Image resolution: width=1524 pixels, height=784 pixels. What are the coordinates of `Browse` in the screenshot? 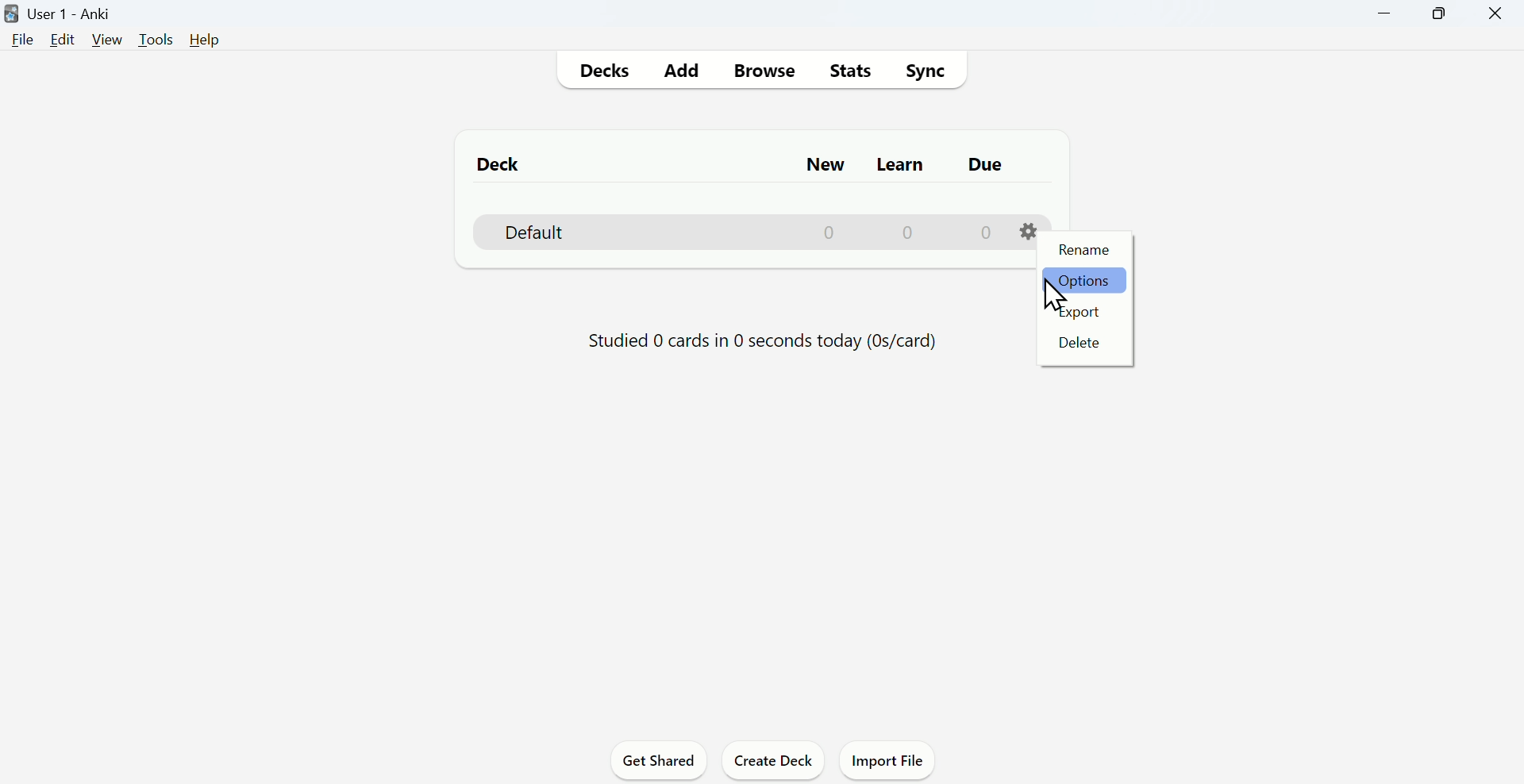 It's located at (757, 70).